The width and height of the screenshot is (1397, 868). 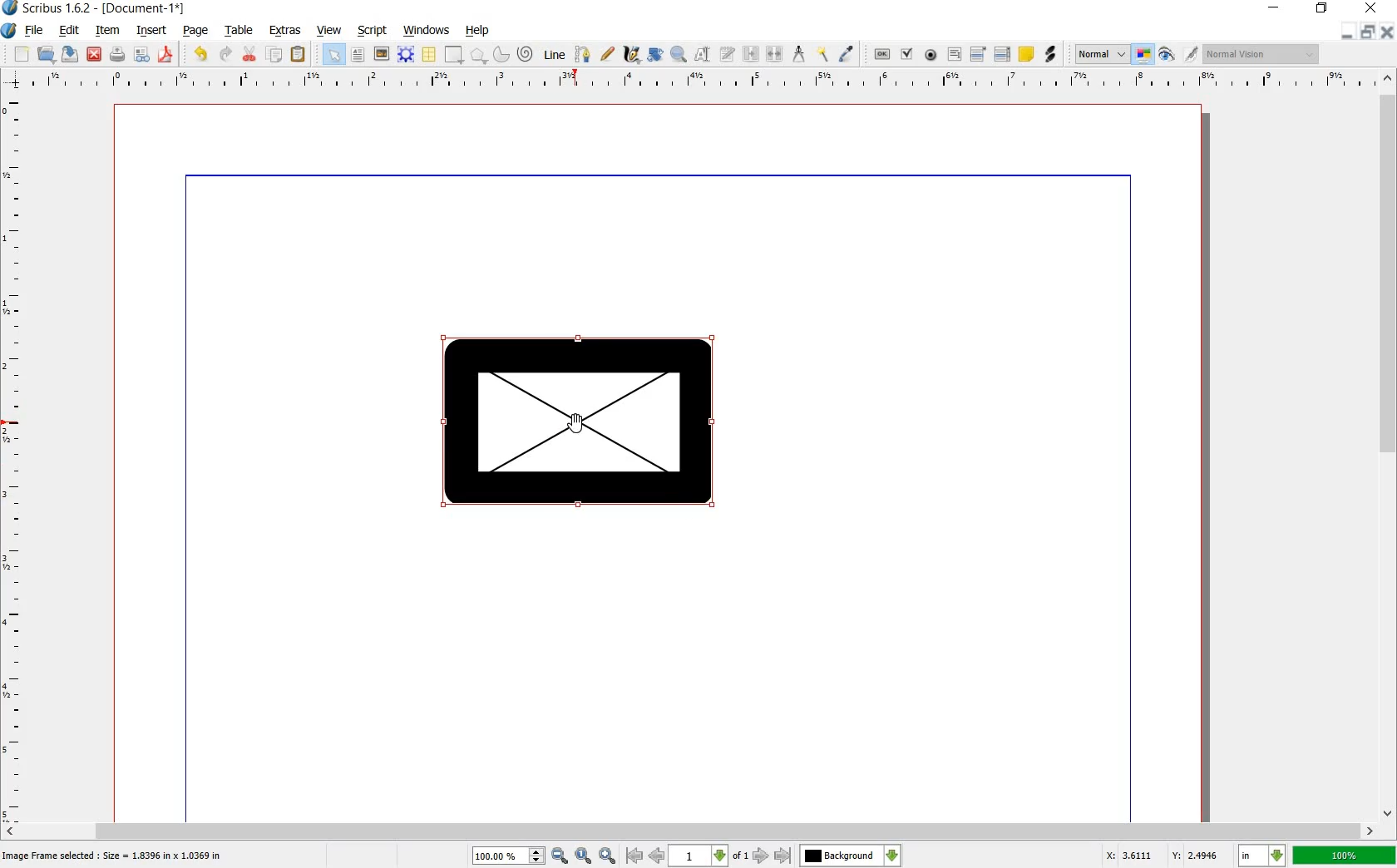 What do you see at coordinates (117, 55) in the screenshot?
I see `print` at bounding box center [117, 55].